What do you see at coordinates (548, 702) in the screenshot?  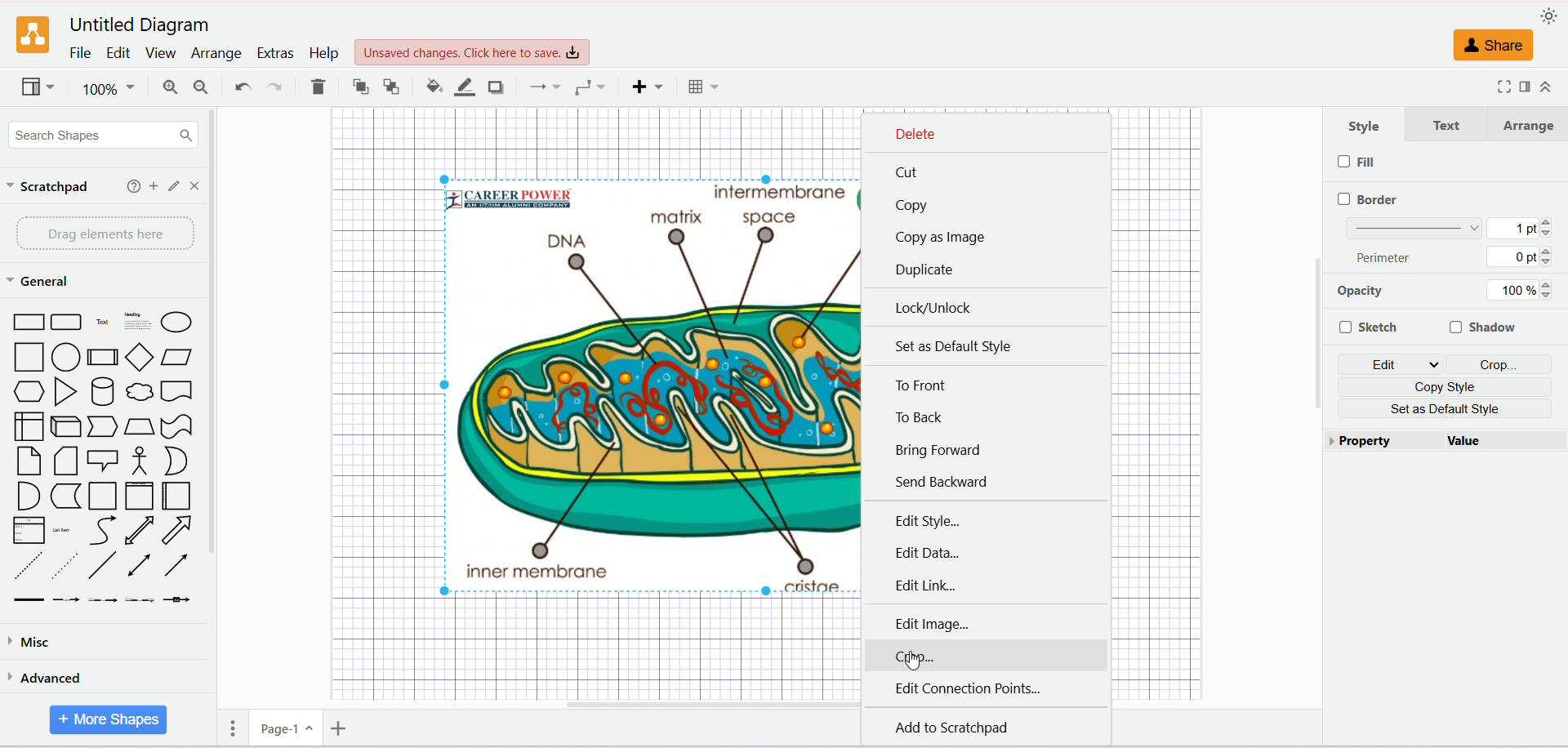 I see `Horizontal Scroll Bar` at bounding box center [548, 702].